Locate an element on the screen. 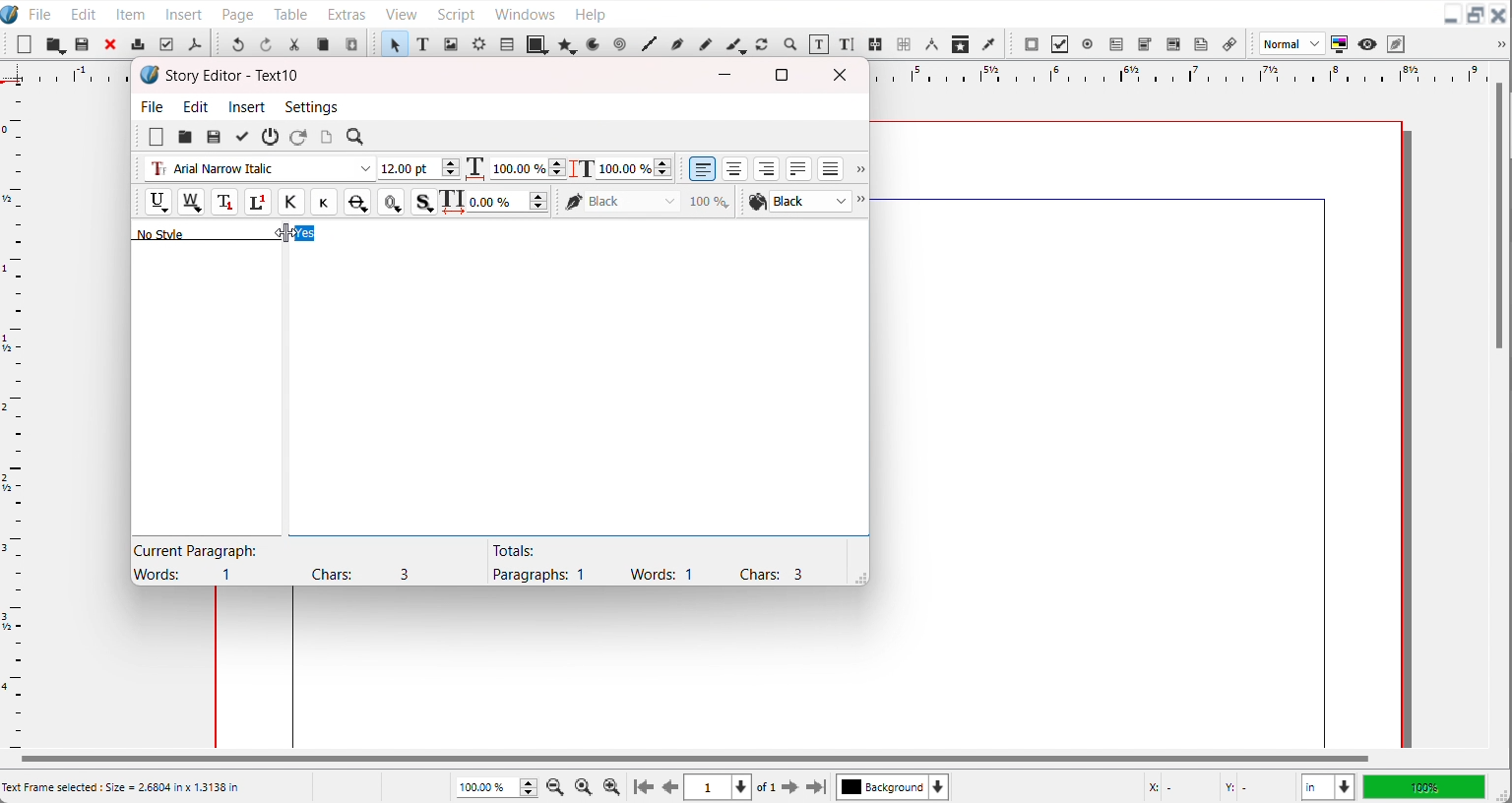 This screenshot has height=803, width=1512. Settings is located at coordinates (311, 106).